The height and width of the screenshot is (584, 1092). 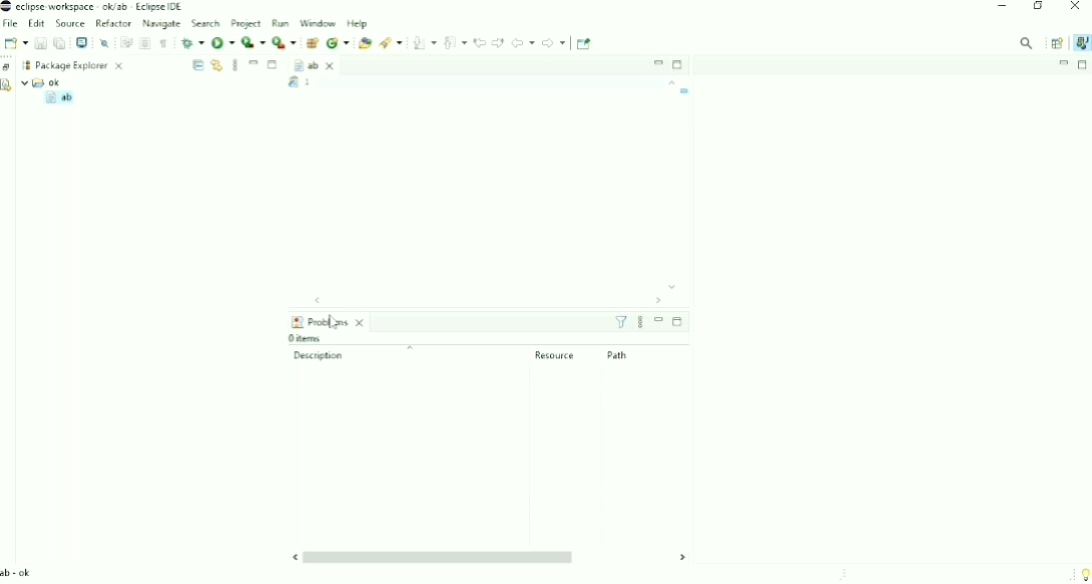 What do you see at coordinates (284, 42) in the screenshot?
I see `Run Last Tool` at bounding box center [284, 42].